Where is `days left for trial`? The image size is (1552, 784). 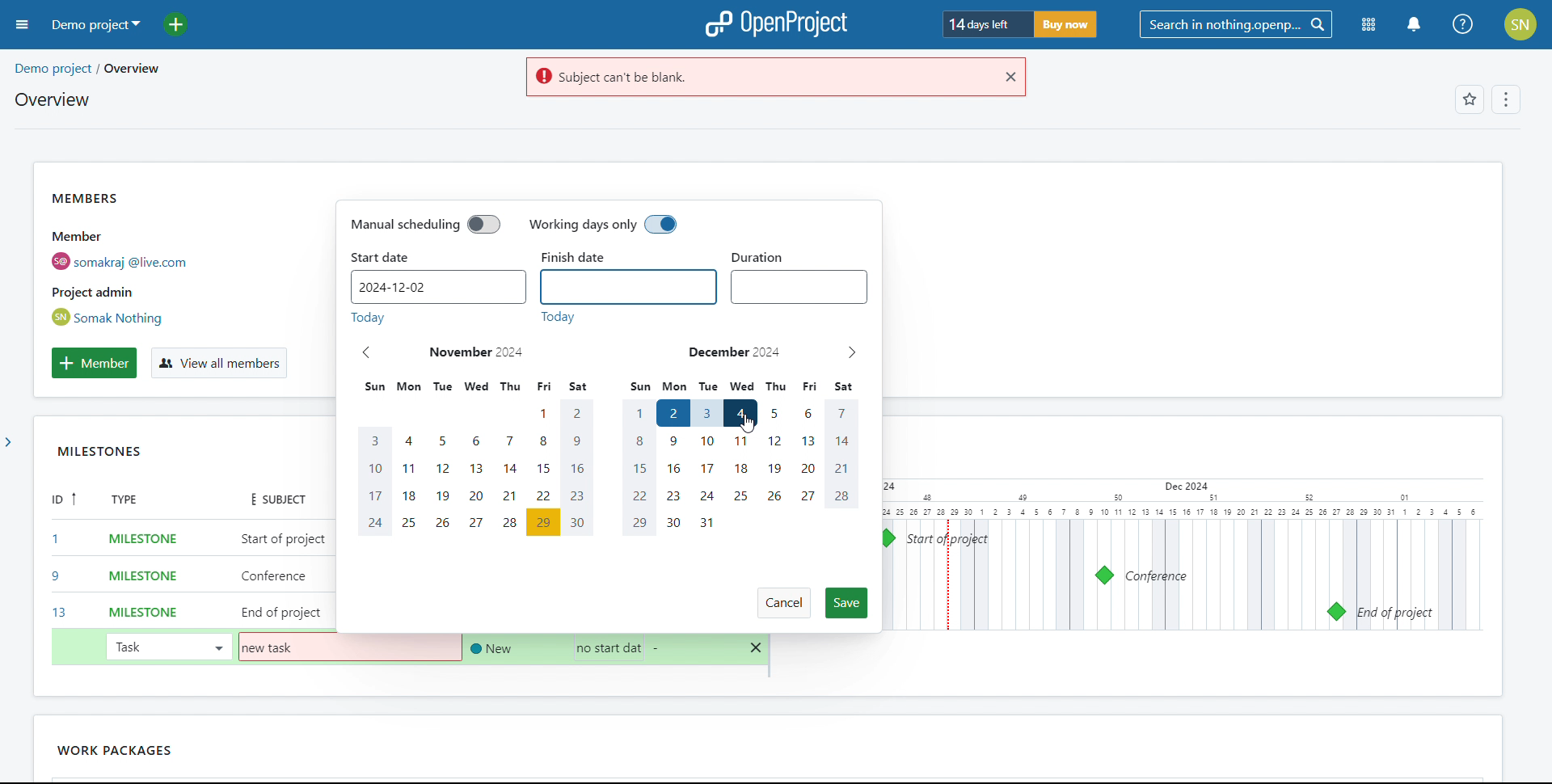 days left for trial is located at coordinates (985, 25).